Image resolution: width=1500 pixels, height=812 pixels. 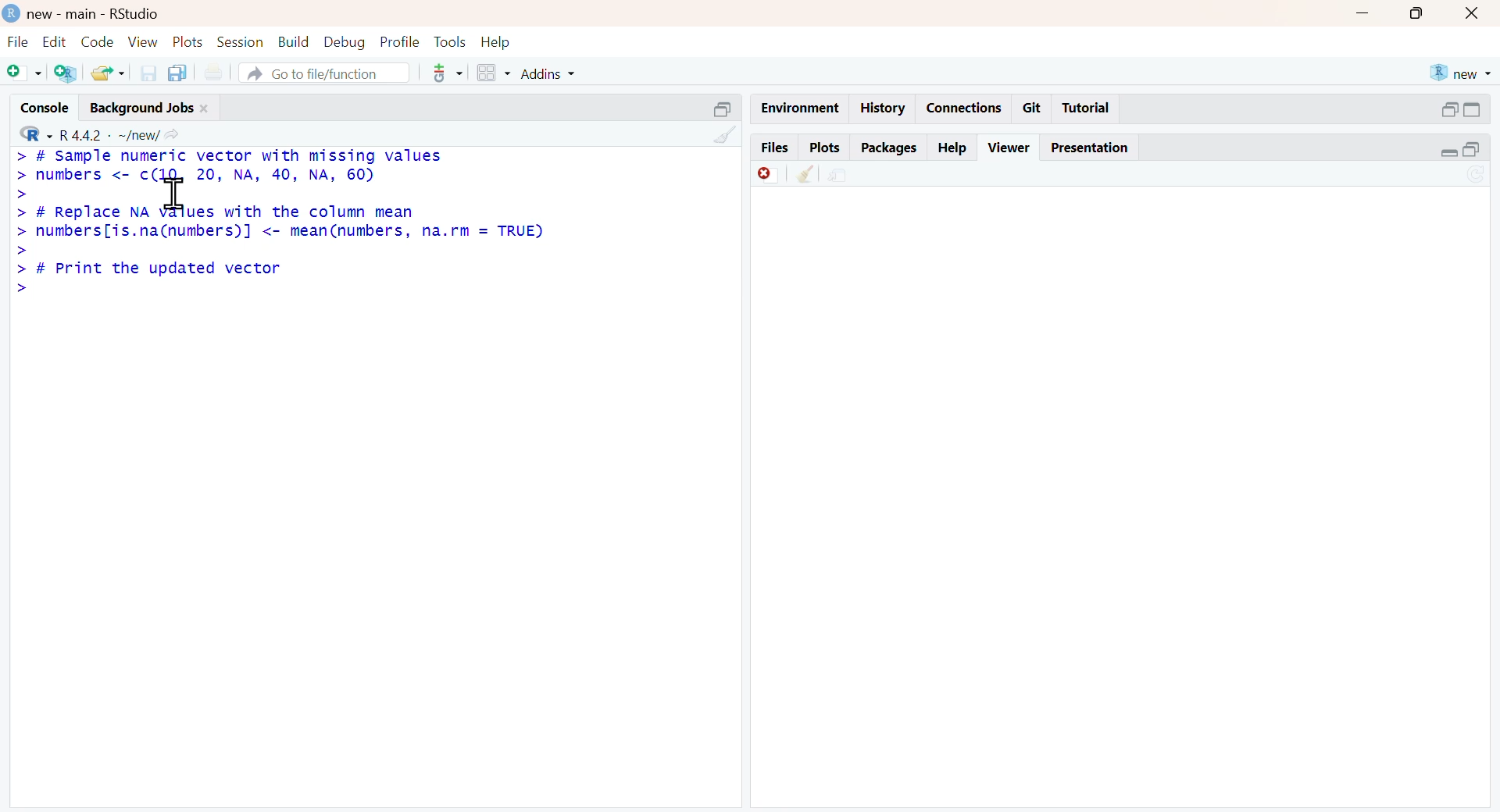 I want to click on enviornment, so click(x=802, y=109).